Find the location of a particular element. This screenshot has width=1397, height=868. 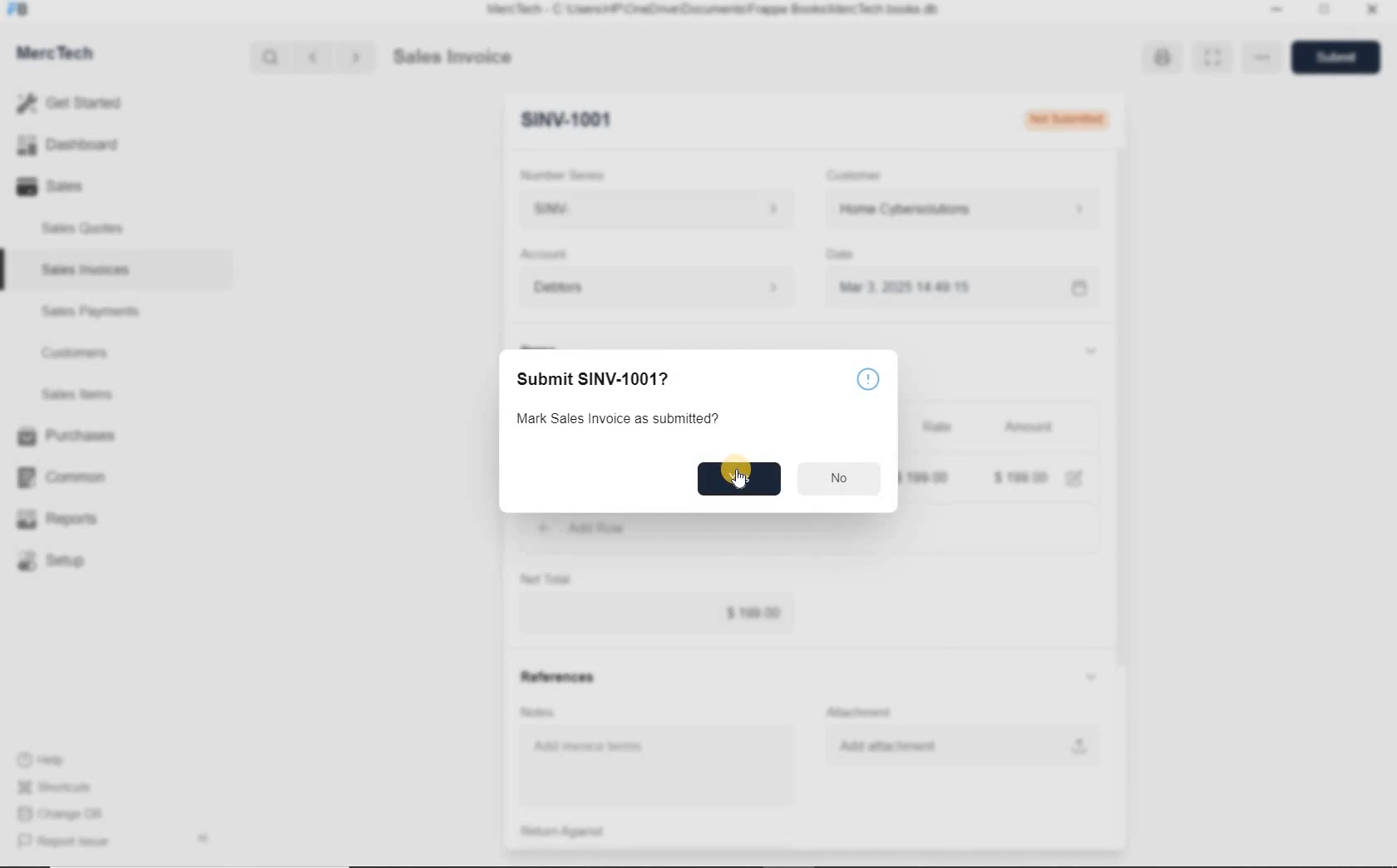

hide sub menu is located at coordinates (1091, 678).